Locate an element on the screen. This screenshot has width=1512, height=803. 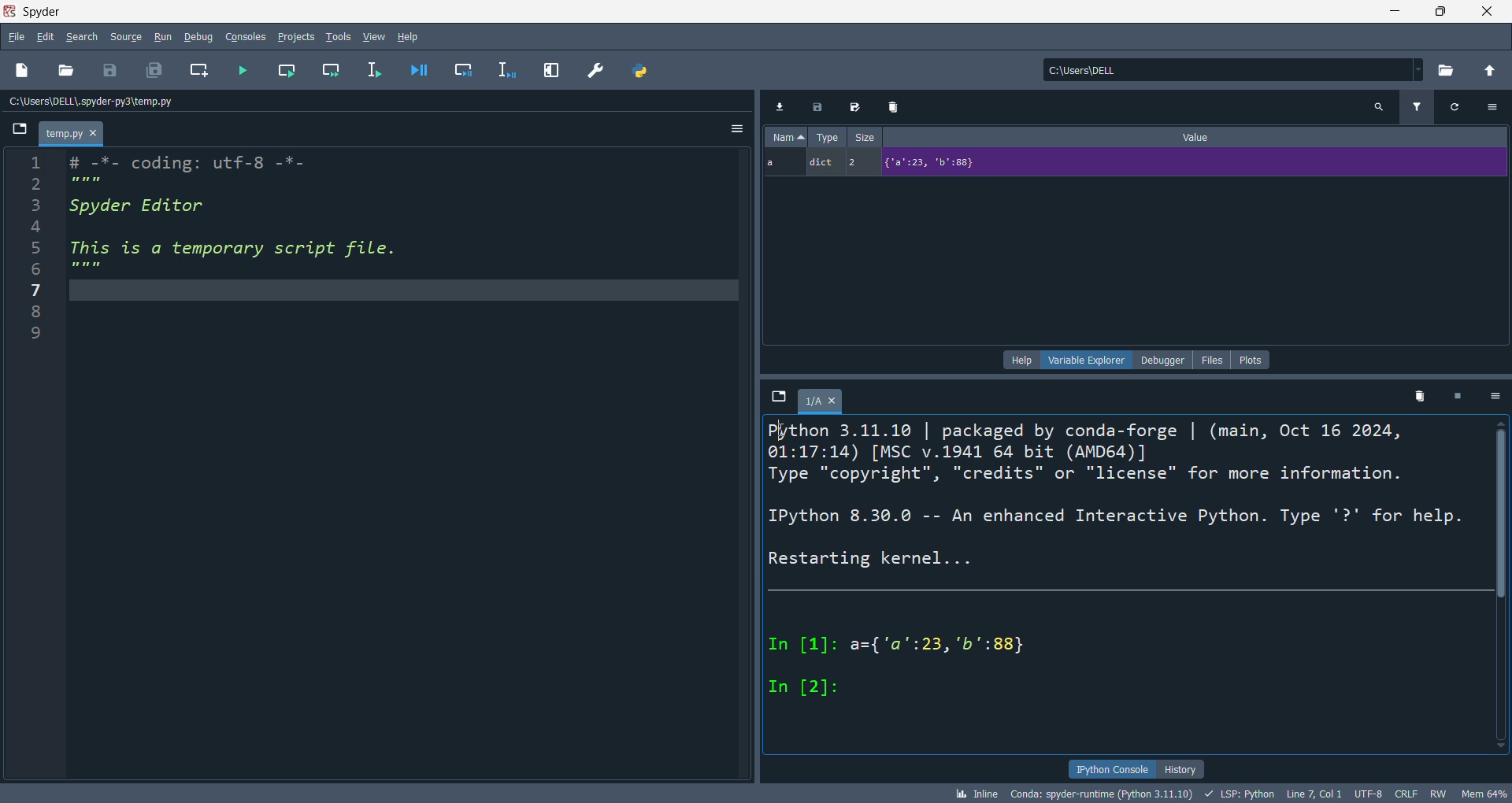
debugger is located at coordinates (1162, 360).